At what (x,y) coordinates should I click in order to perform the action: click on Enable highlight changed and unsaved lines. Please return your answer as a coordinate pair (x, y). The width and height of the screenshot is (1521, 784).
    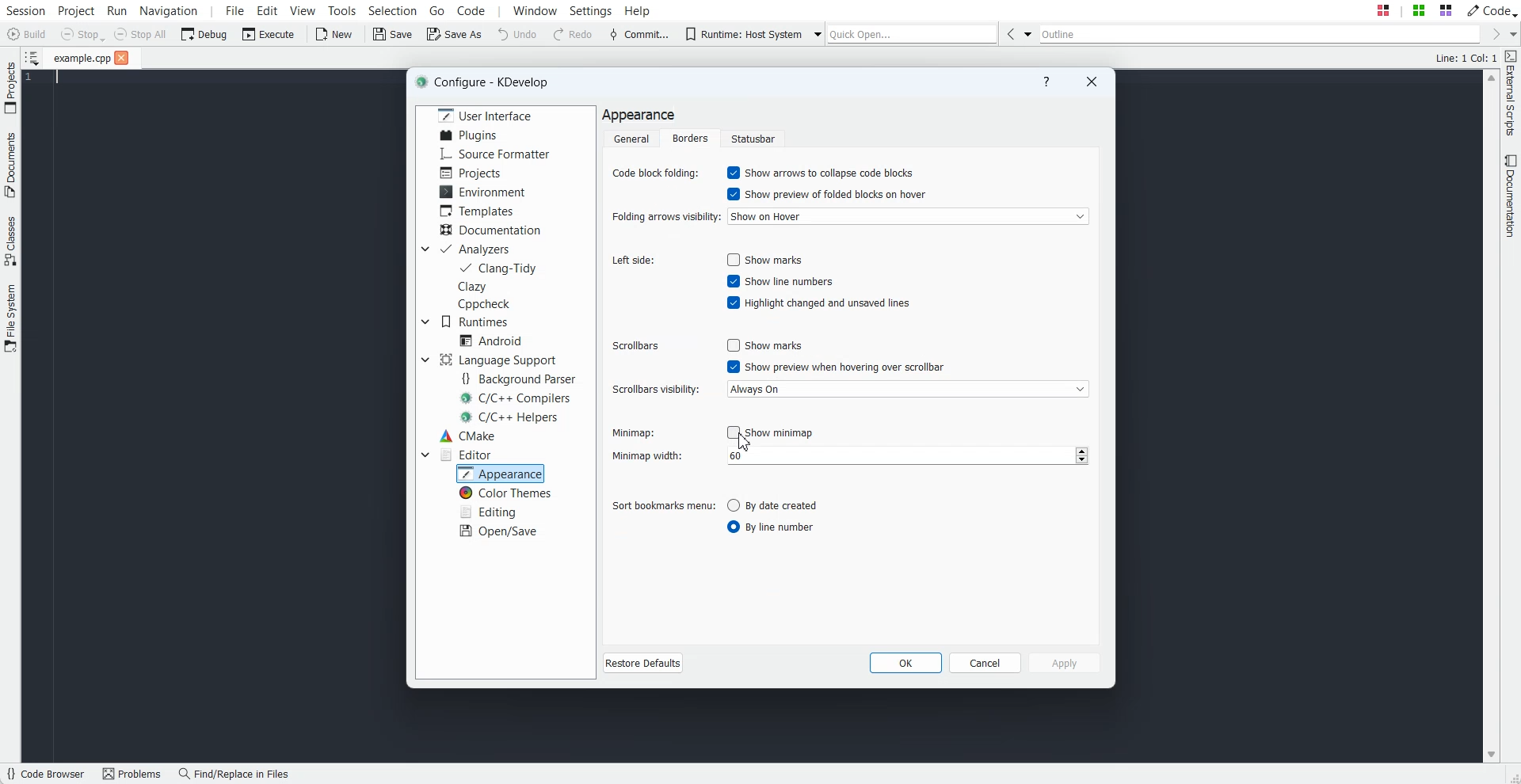
    Looking at the image, I should click on (818, 302).